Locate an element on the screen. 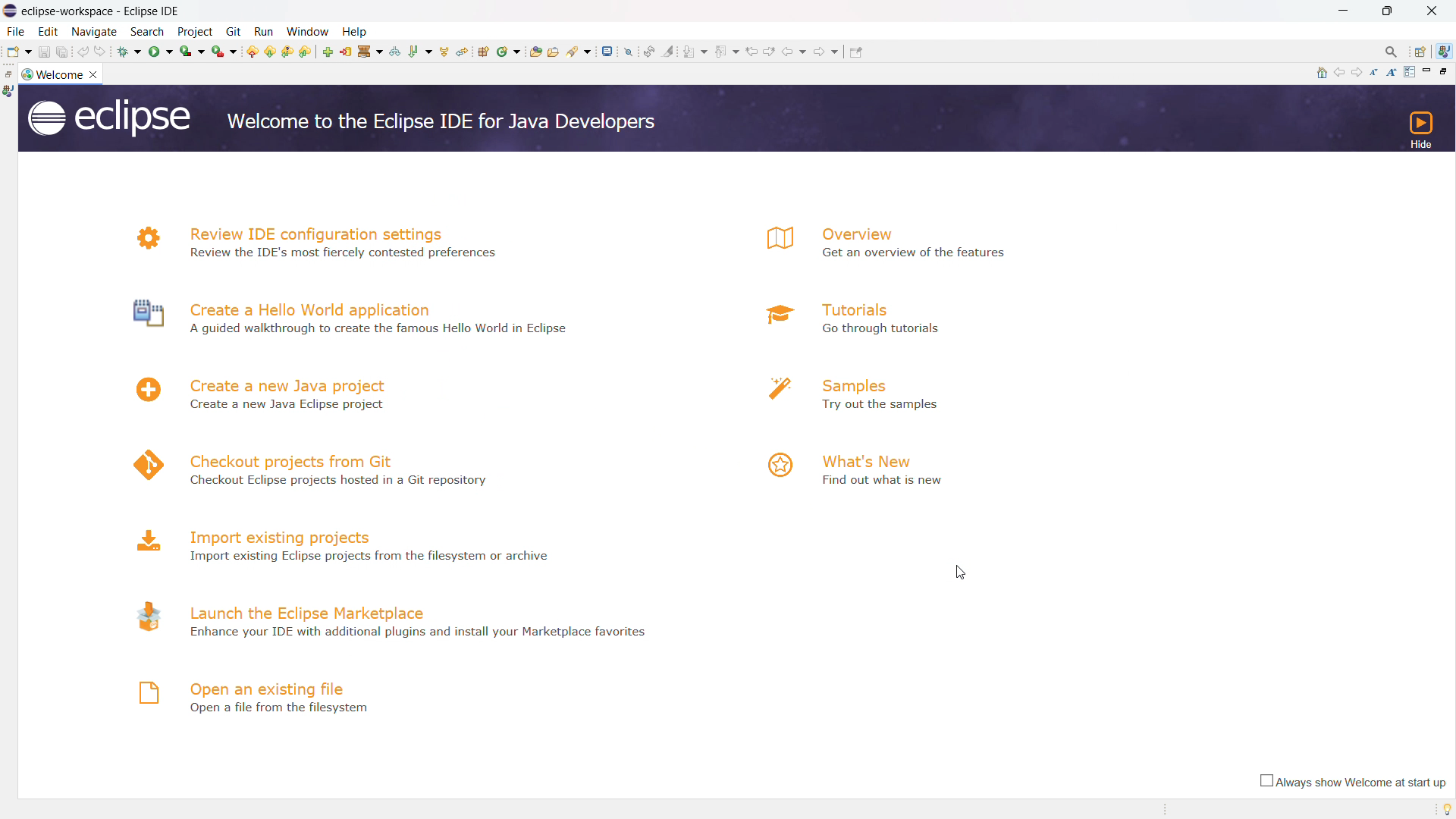  hide is located at coordinates (1419, 129).